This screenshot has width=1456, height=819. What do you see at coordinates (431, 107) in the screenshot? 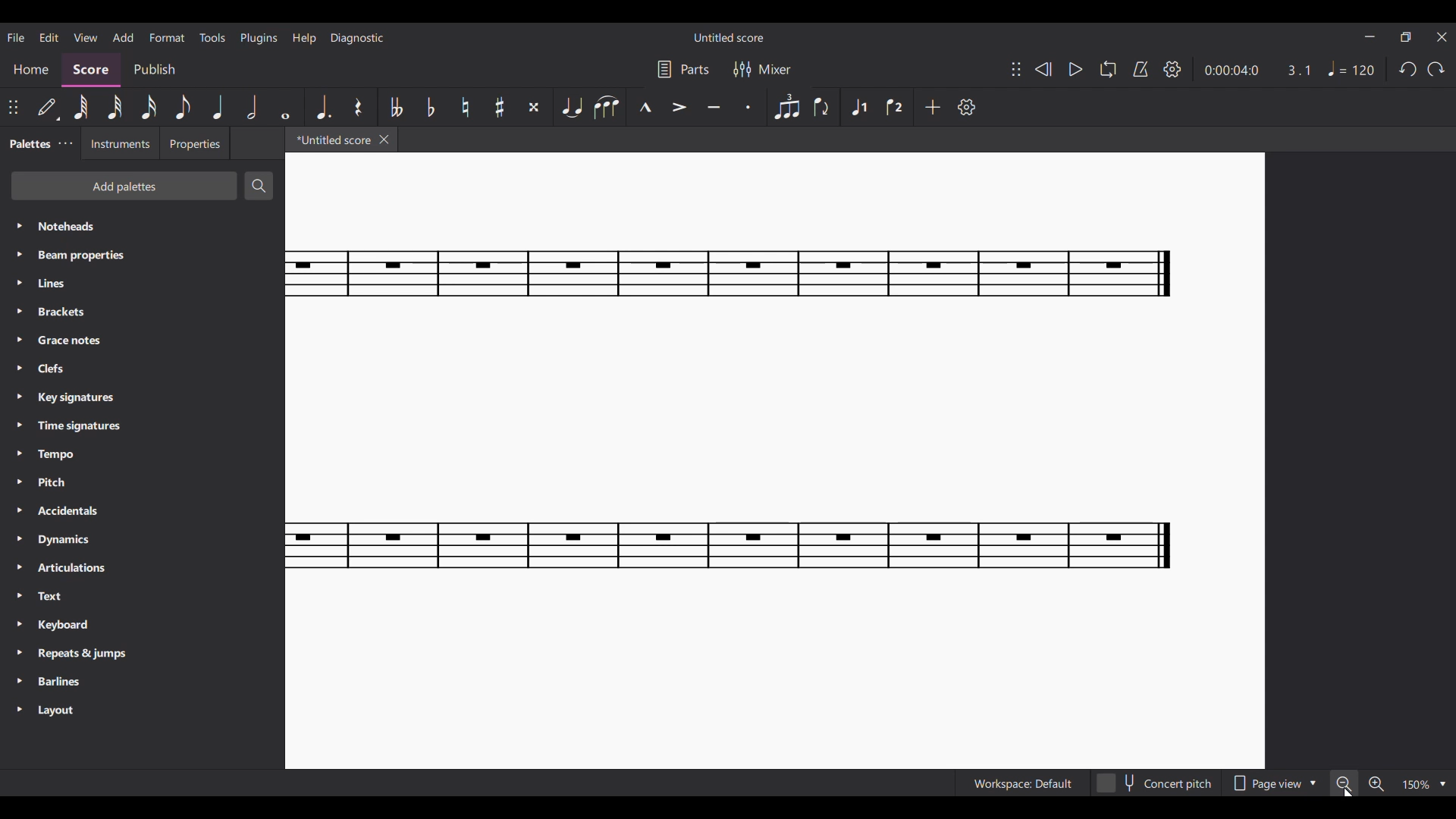
I see `Toggle flat` at bounding box center [431, 107].